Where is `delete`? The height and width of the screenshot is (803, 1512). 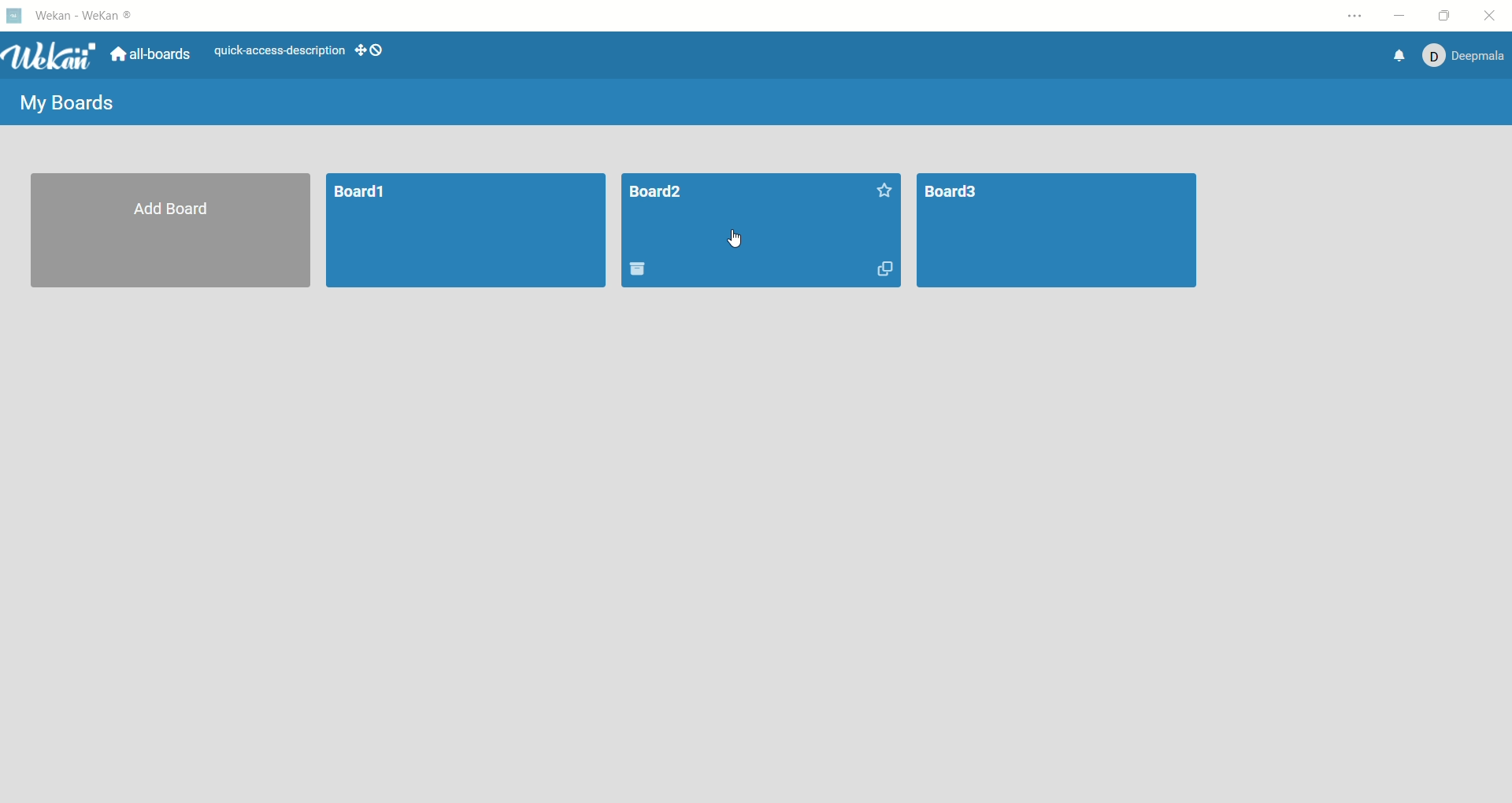 delete is located at coordinates (639, 268).